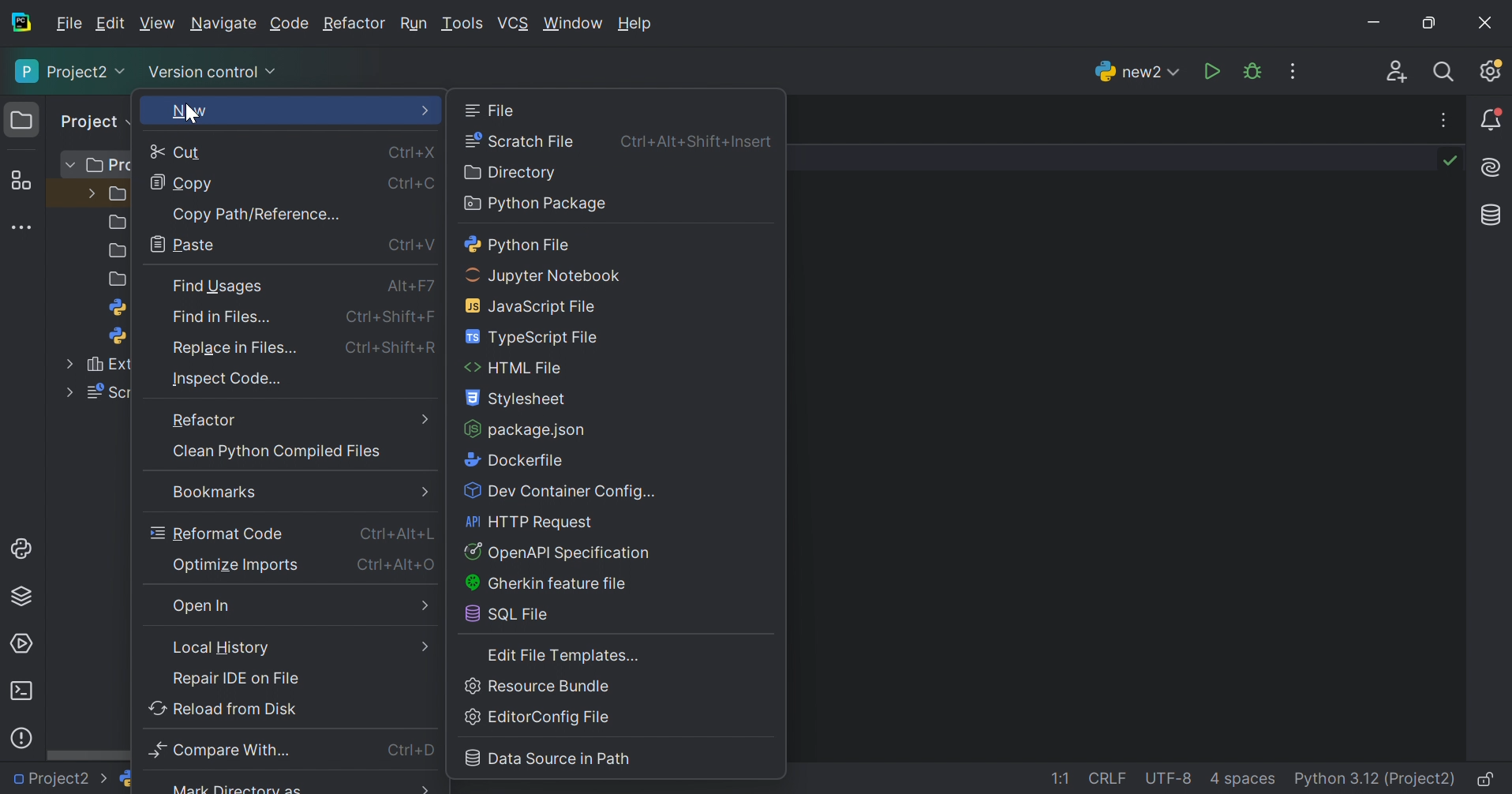 The width and height of the screenshot is (1512, 794). Describe the element at coordinates (290, 24) in the screenshot. I see `Code` at that location.